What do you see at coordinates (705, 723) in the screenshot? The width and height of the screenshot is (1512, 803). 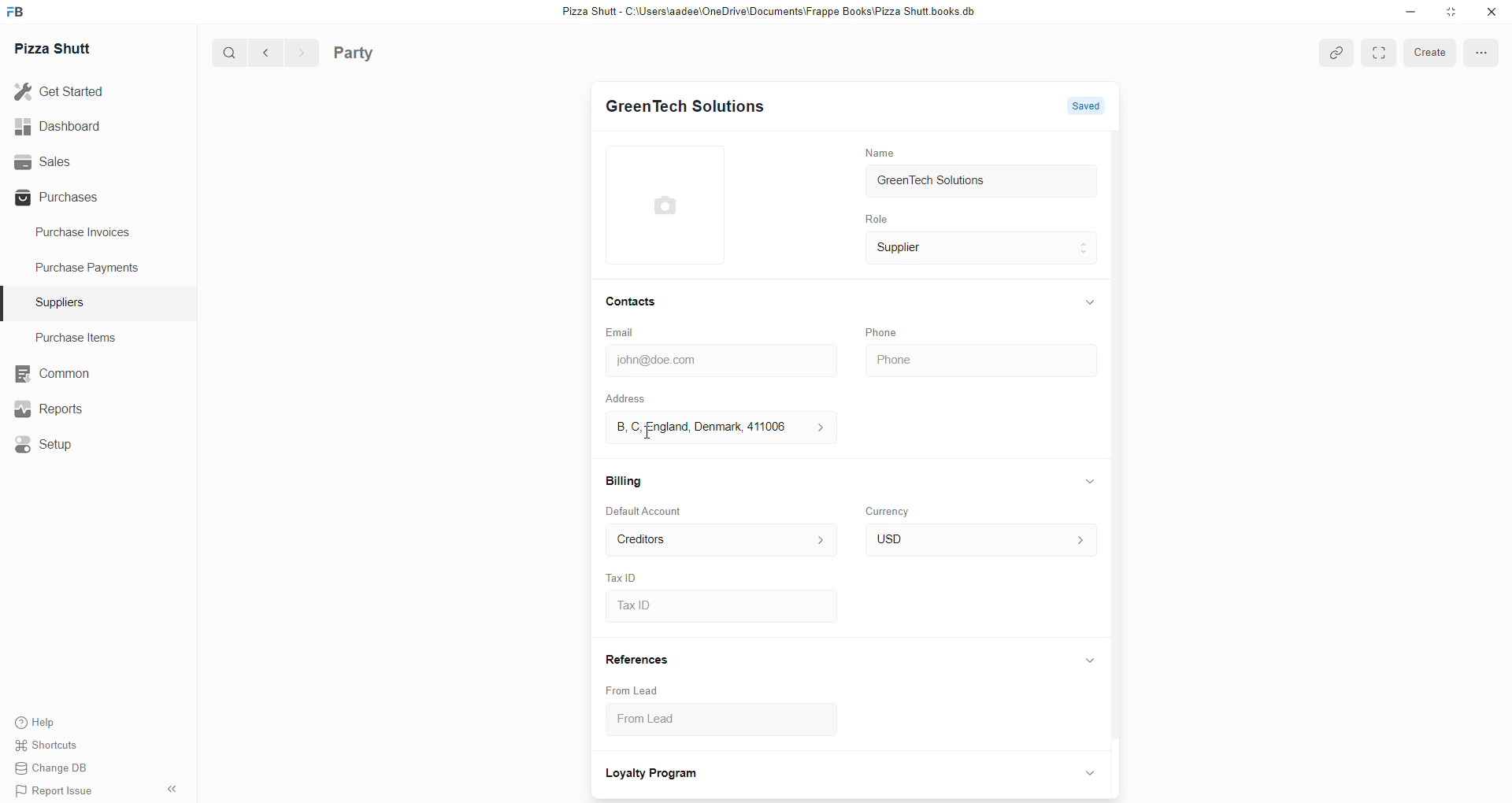 I see `From Lead` at bounding box center [705, 723].